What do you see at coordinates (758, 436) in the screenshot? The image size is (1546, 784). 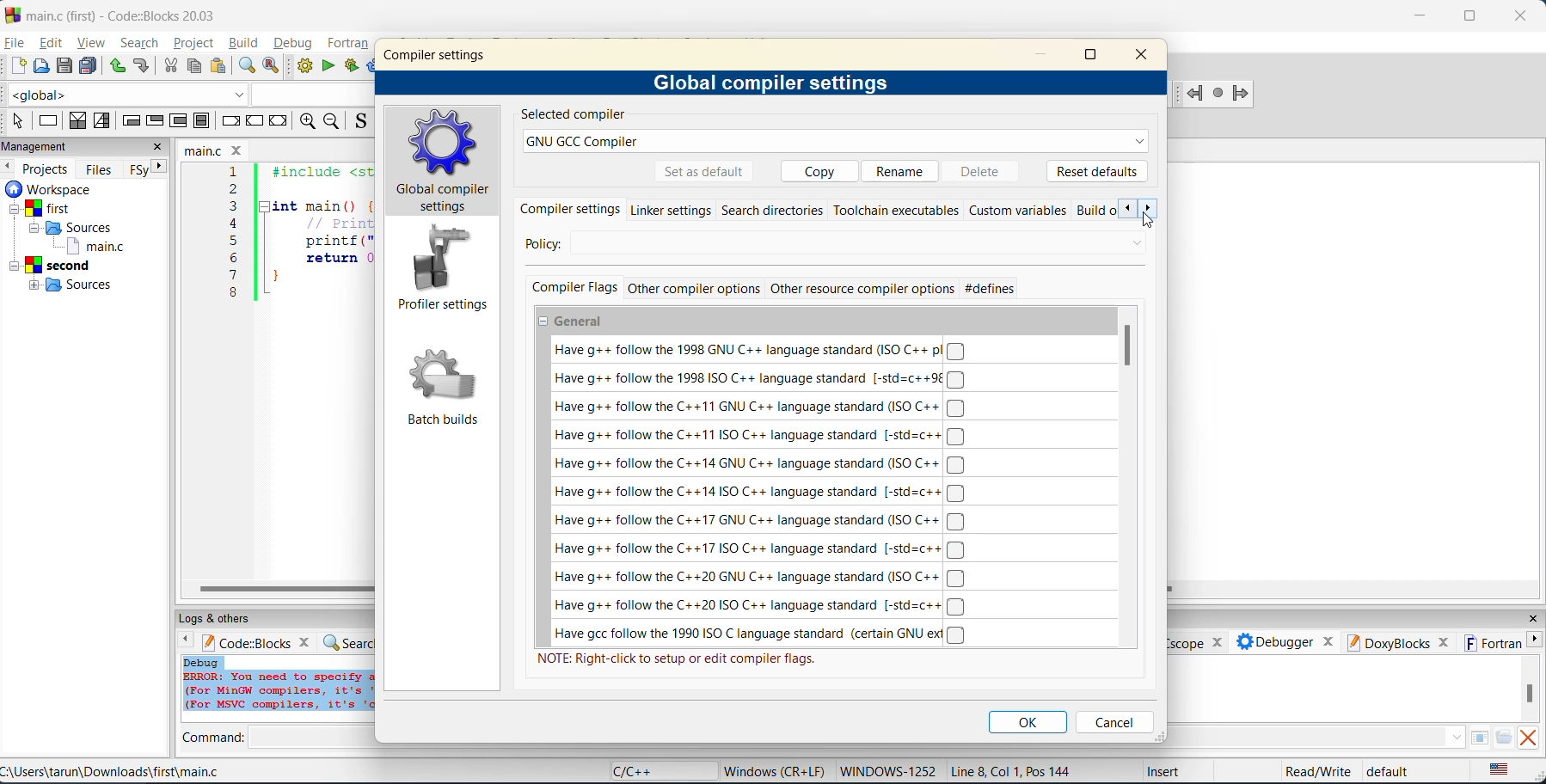 I see `Have g++ follow the C++111SO C++ language standard [-std=c++` at bounding box center [758, 436].